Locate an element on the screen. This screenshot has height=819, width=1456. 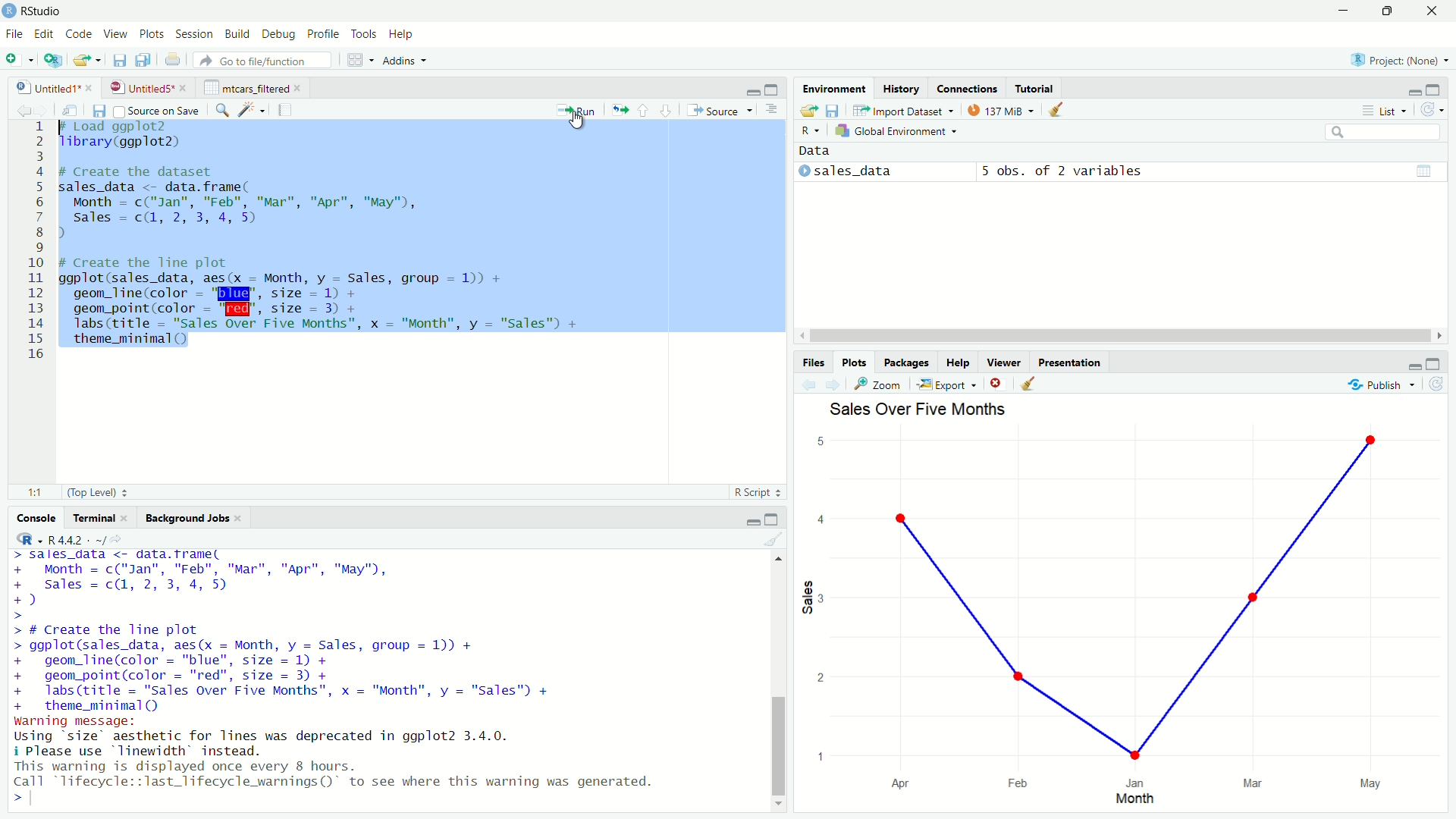
# Load ggplot2 library(ggplot2)# Create the datasetsales_data <- data.frame(Month - c("Jan", "Feb", "Mar", "Apr", "May"),Sales = c(1, 2, 3, 4, 5))# Create the line plotggplot(sales_data, aes(x = Month, y = Sales, group = 1)) +geom_Tine(color = " ", size = 1) +geom_point (color = " ", size = 3) +labs (title = "sales ayer Five Months", x = "Month", y = "Sales") +theme_minimal() is located at coordinates (327, 239).